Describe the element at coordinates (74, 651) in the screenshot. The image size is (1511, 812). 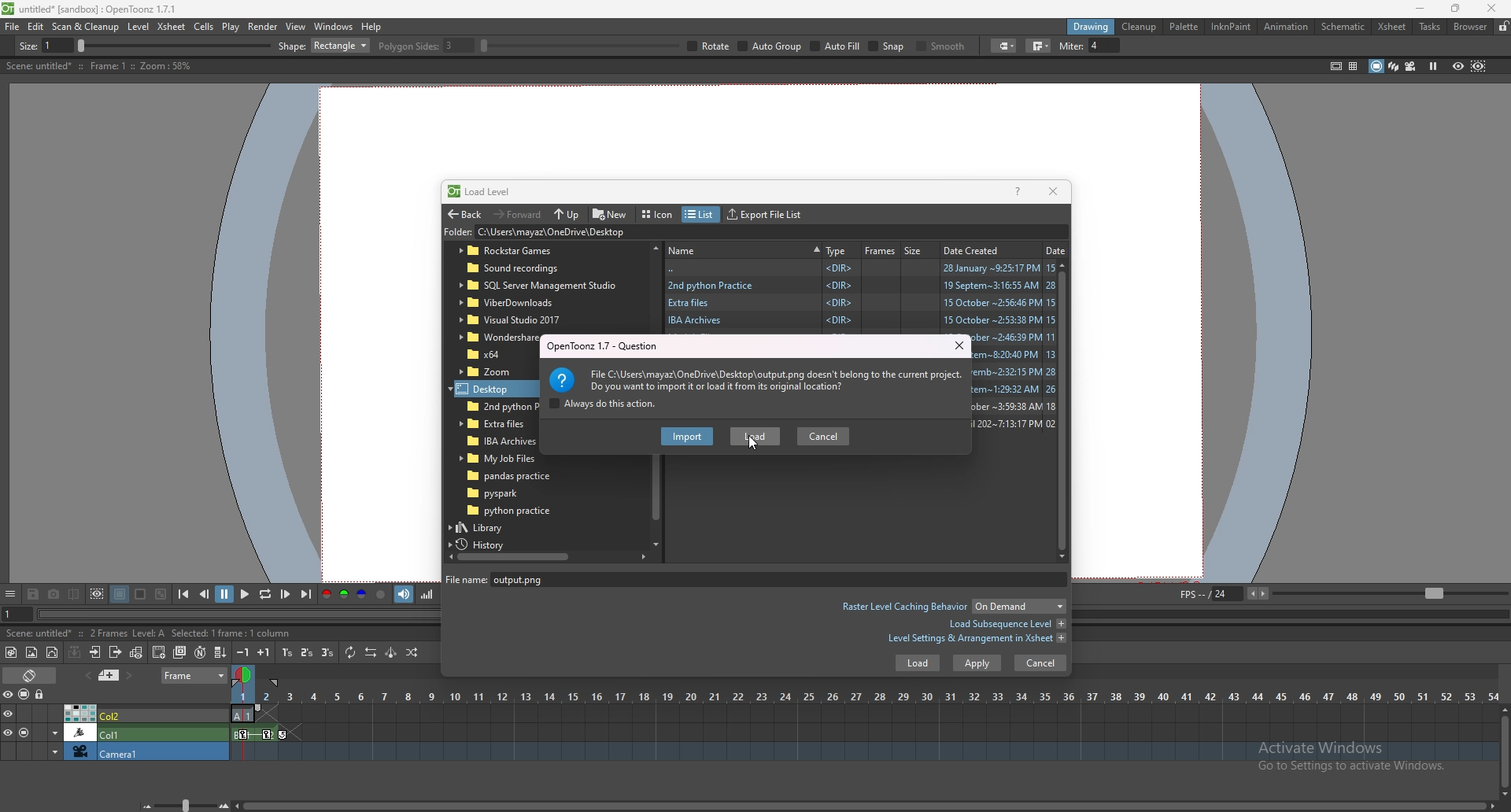
I see `collapse` at that location.